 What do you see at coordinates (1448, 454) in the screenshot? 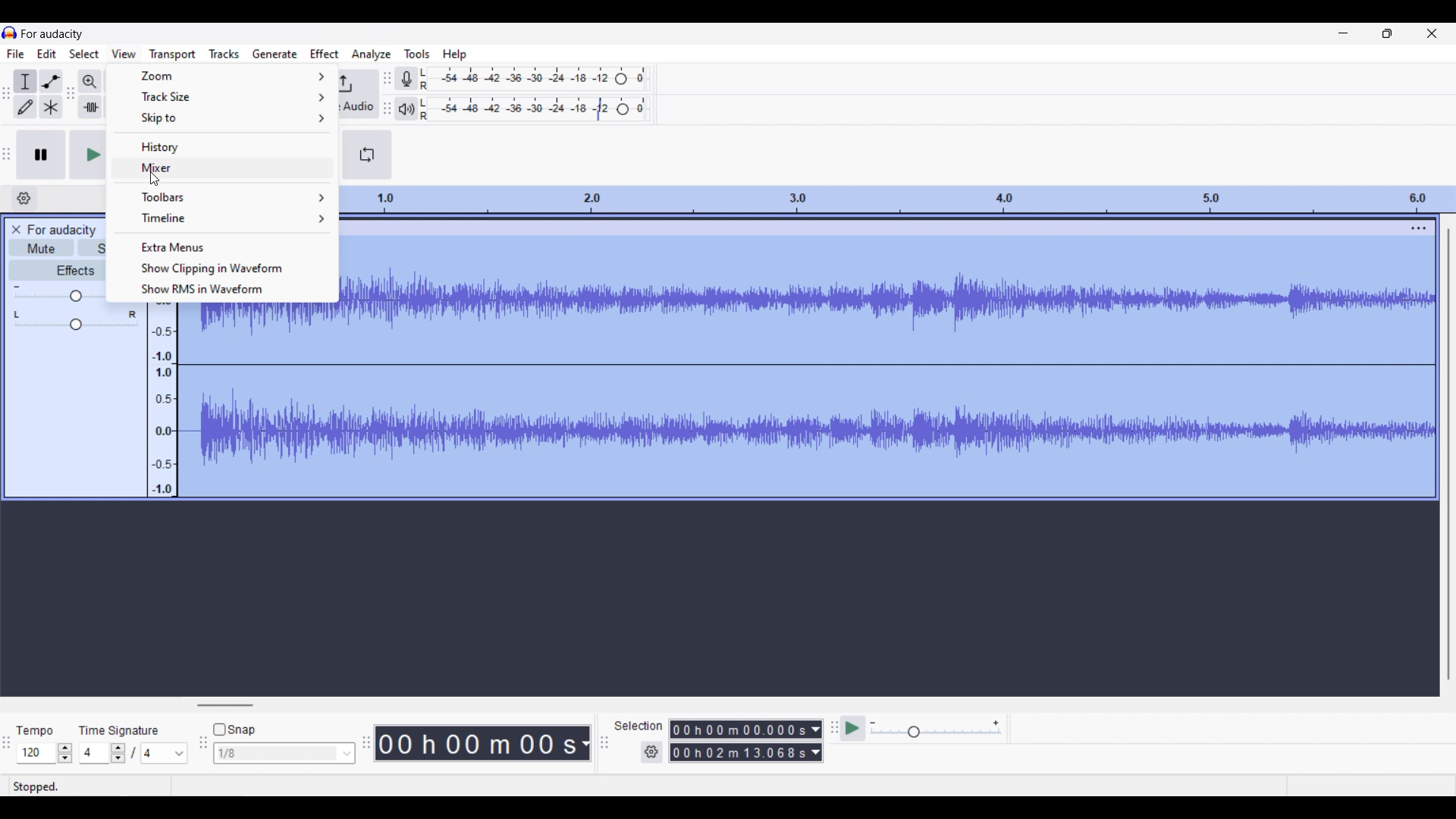
I see `Vertical slide bar` at bounding box center [1448, 454].